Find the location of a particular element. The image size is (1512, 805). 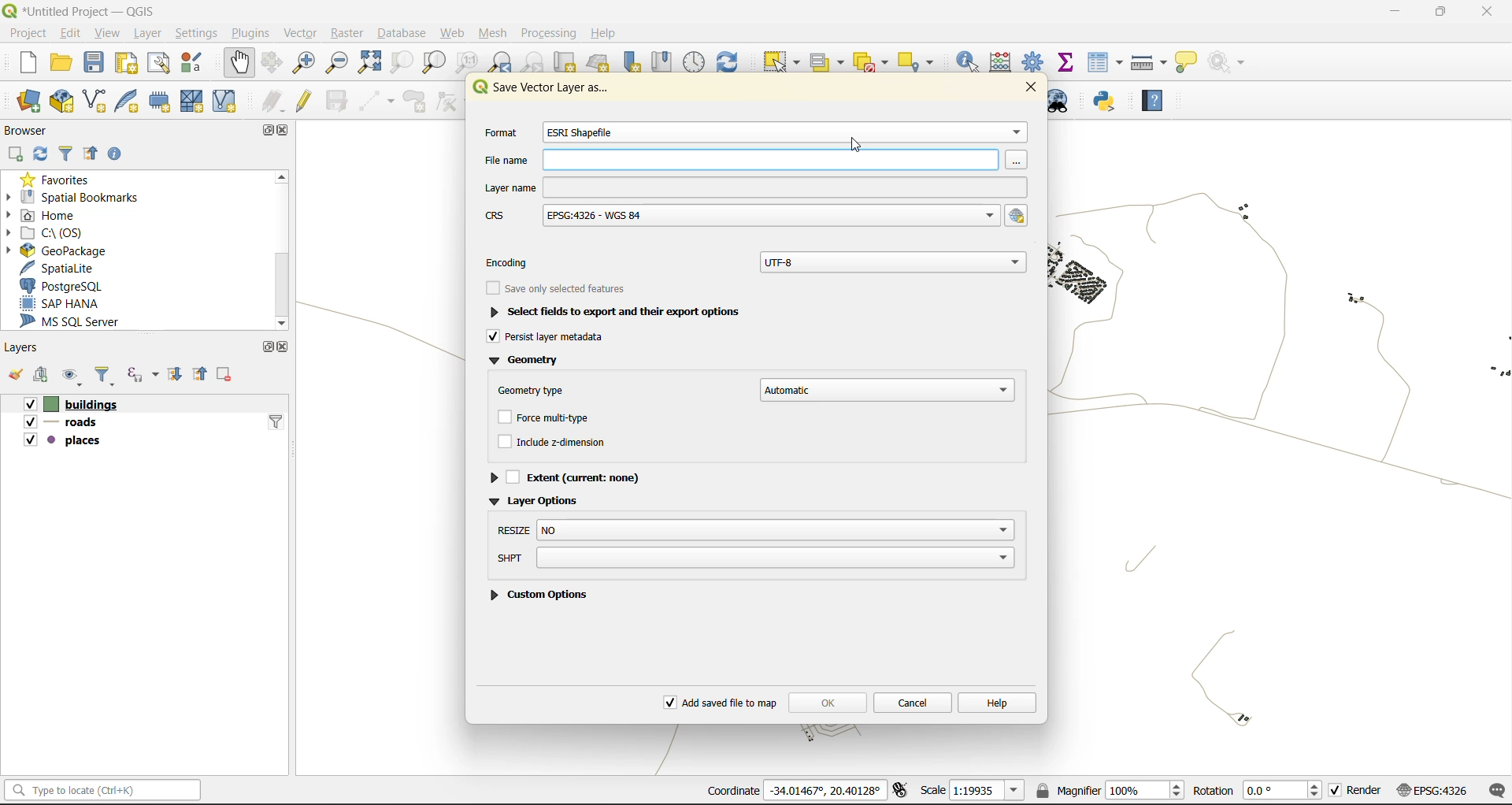

zoom next is located at coordinates (537, 62).